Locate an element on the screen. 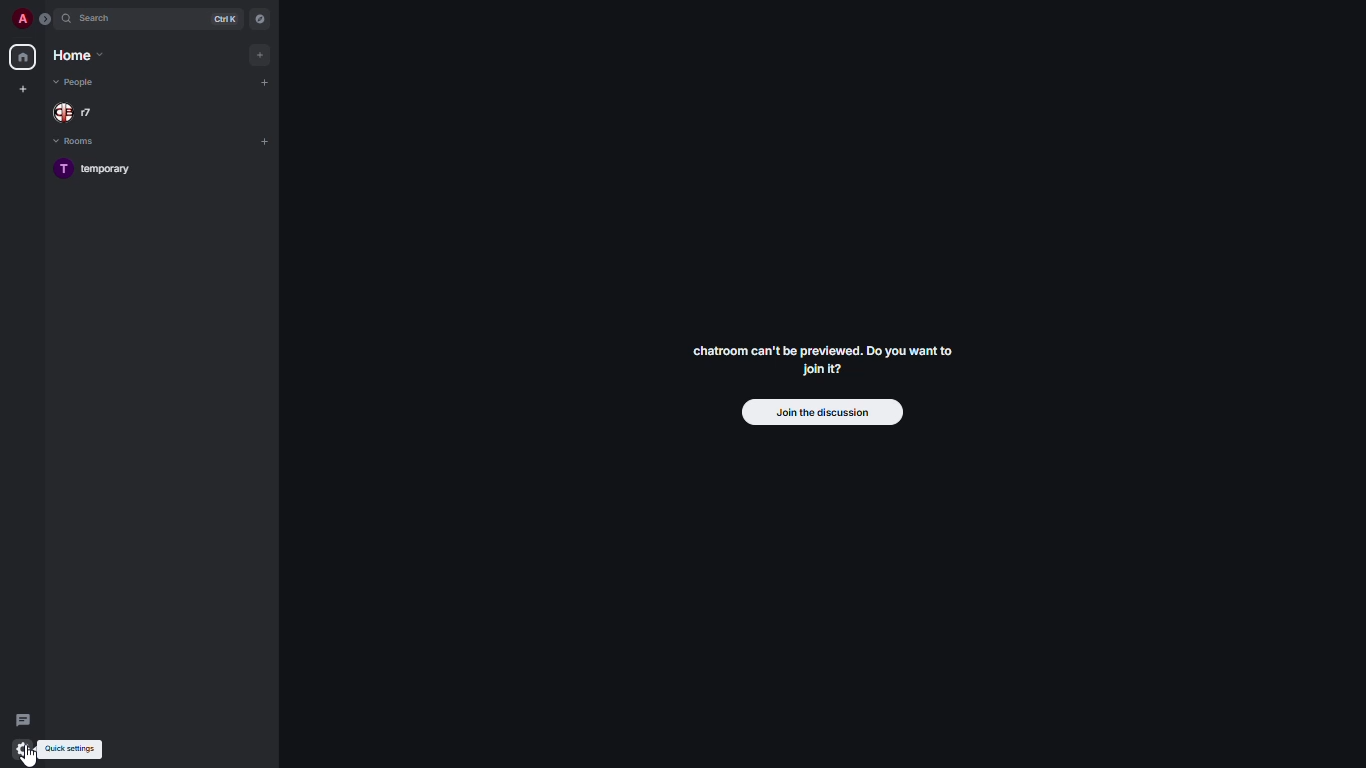 This screenshot has height=768, width=1366. profile is located at coordinates (19, 19).